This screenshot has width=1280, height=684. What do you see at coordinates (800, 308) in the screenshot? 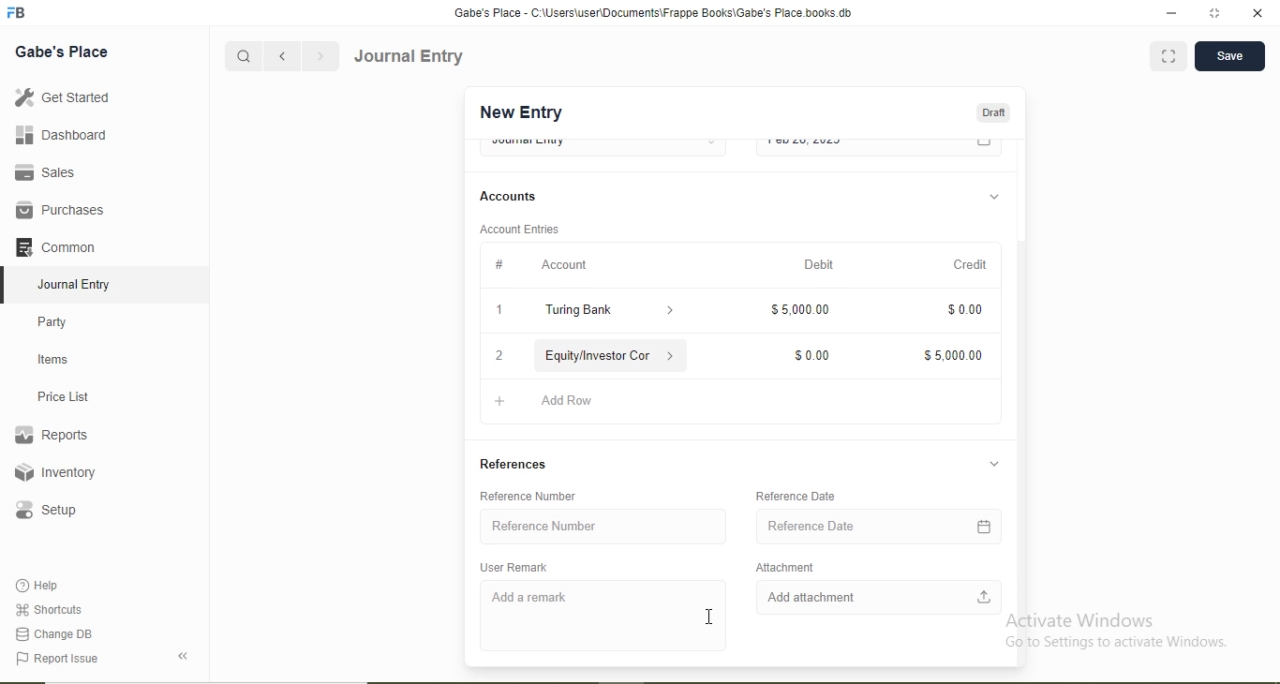
I see `$5,000.00` at bounding box center [800, 308].